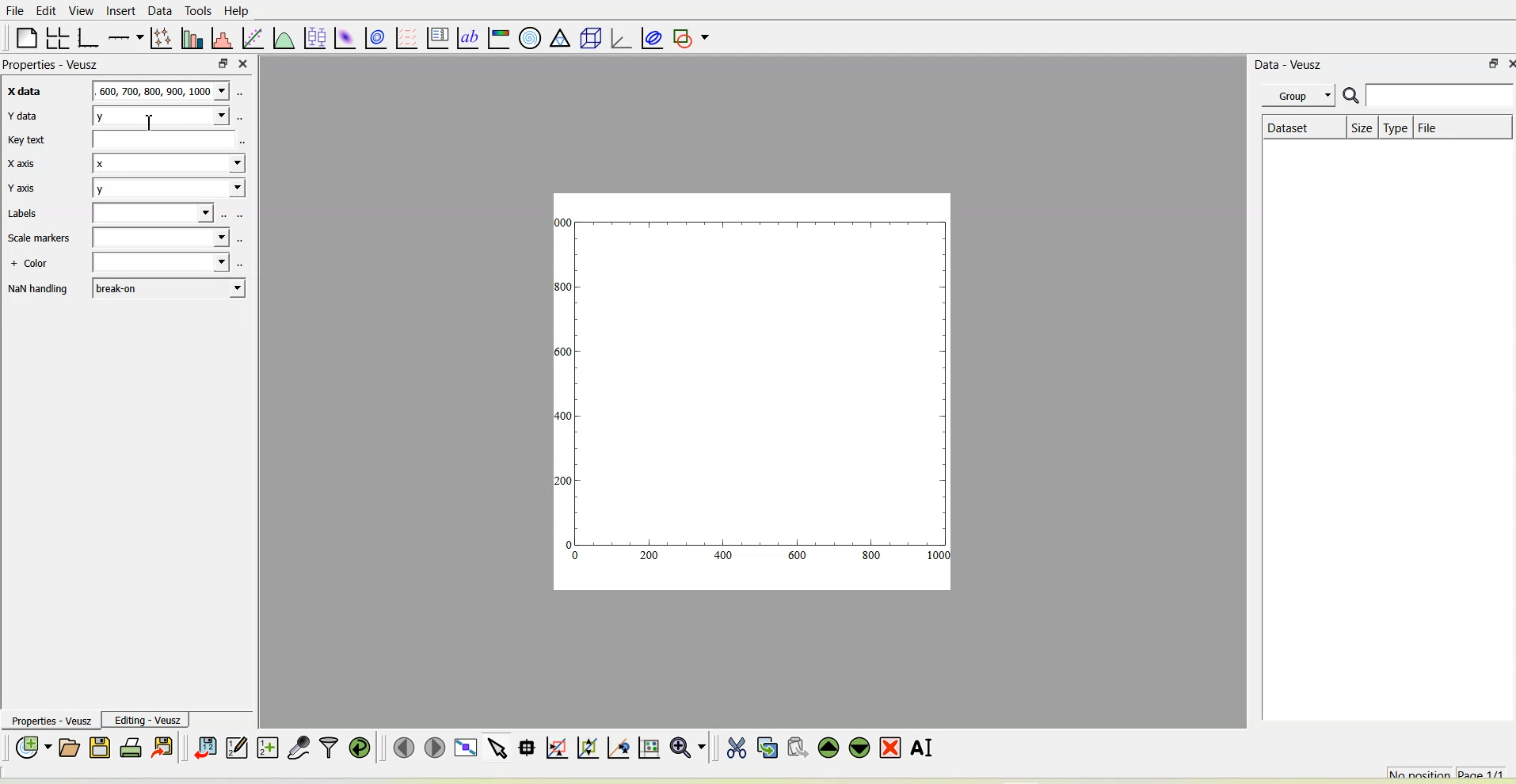 This screenshot has width=1516, height=784. I want to click on select using dataset browser, so click(244, 141).